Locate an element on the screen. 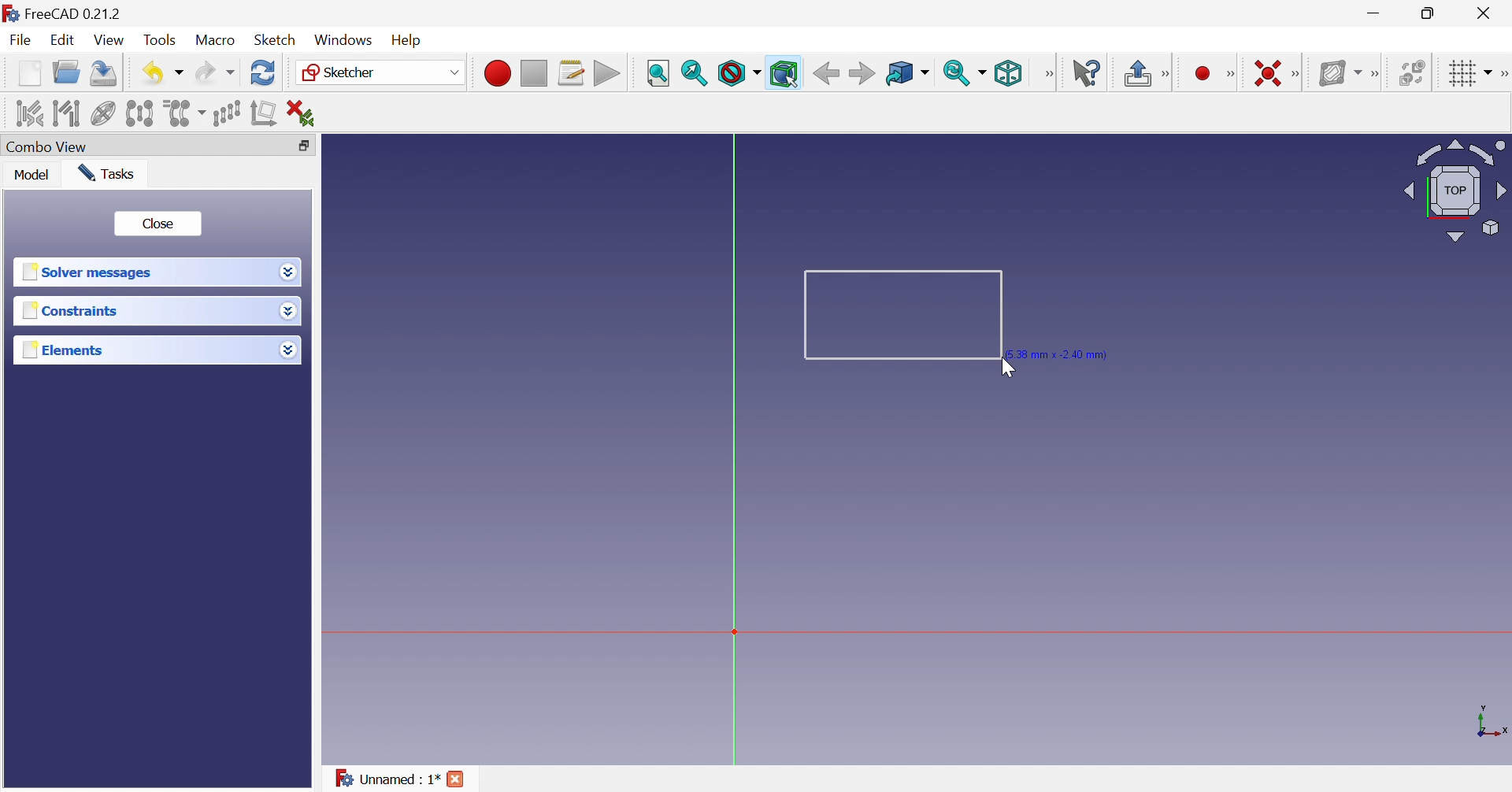 This screenshot has height=792, width=1512. canvas is located at coordinates (879, 562).